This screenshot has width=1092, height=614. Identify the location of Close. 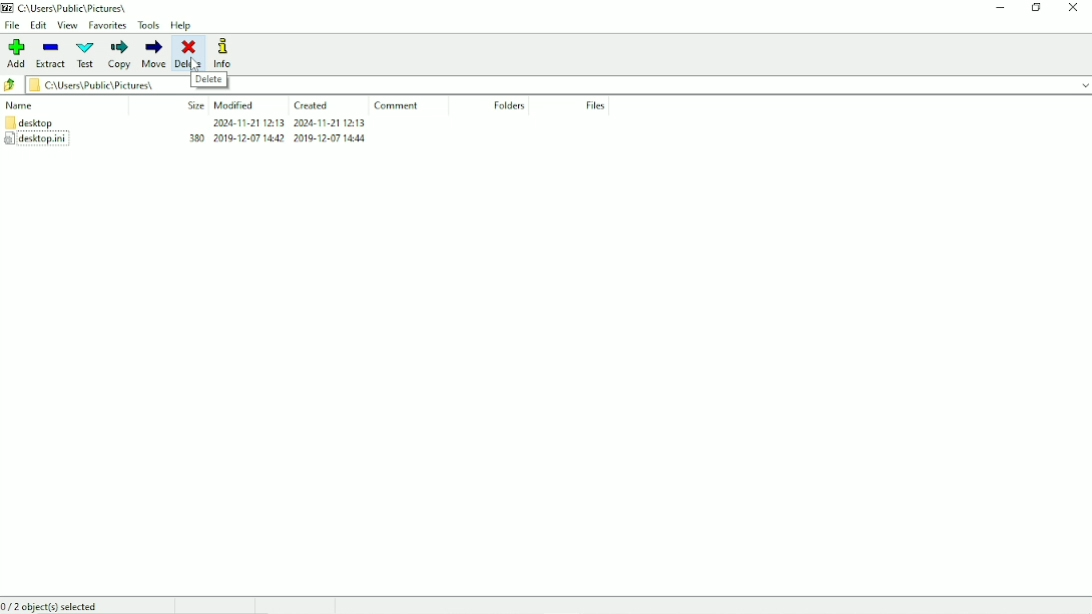
(1073, 7).